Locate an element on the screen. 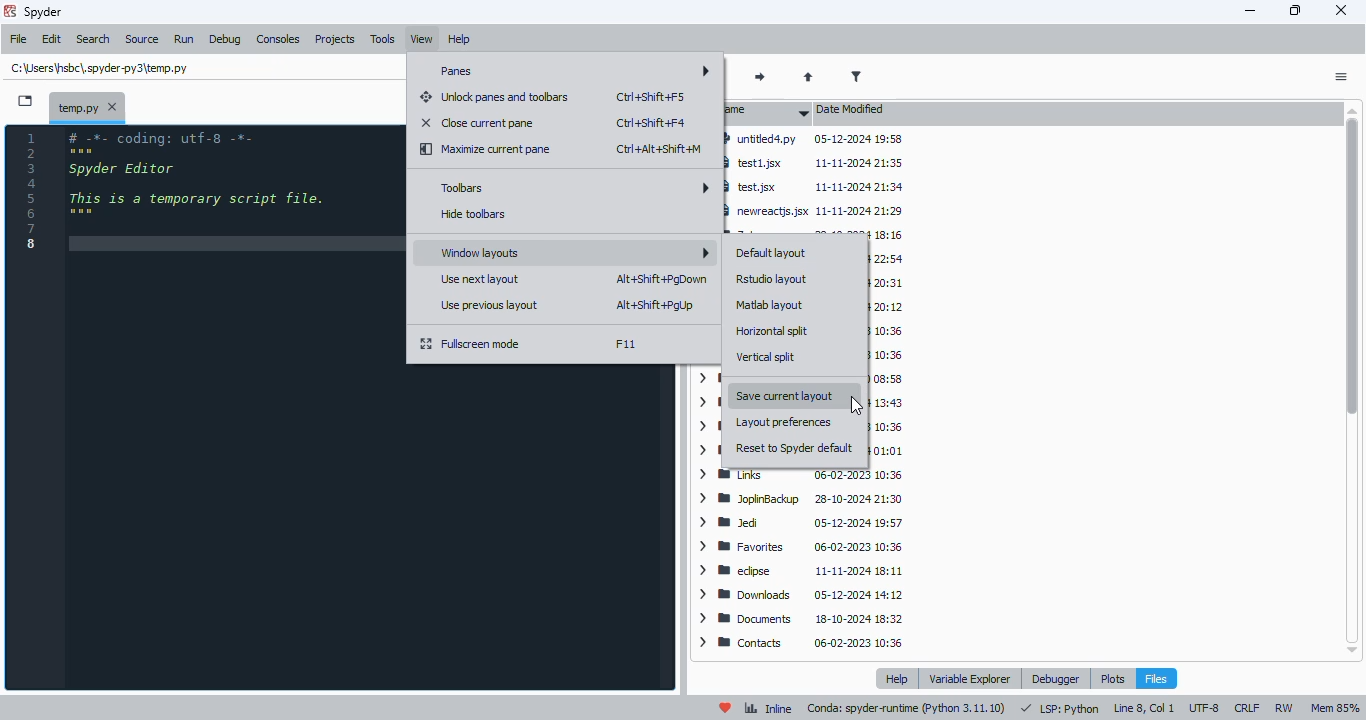 This screenshot has width=1366, height=720. hide toolbars is located at coordinates (472, 213).